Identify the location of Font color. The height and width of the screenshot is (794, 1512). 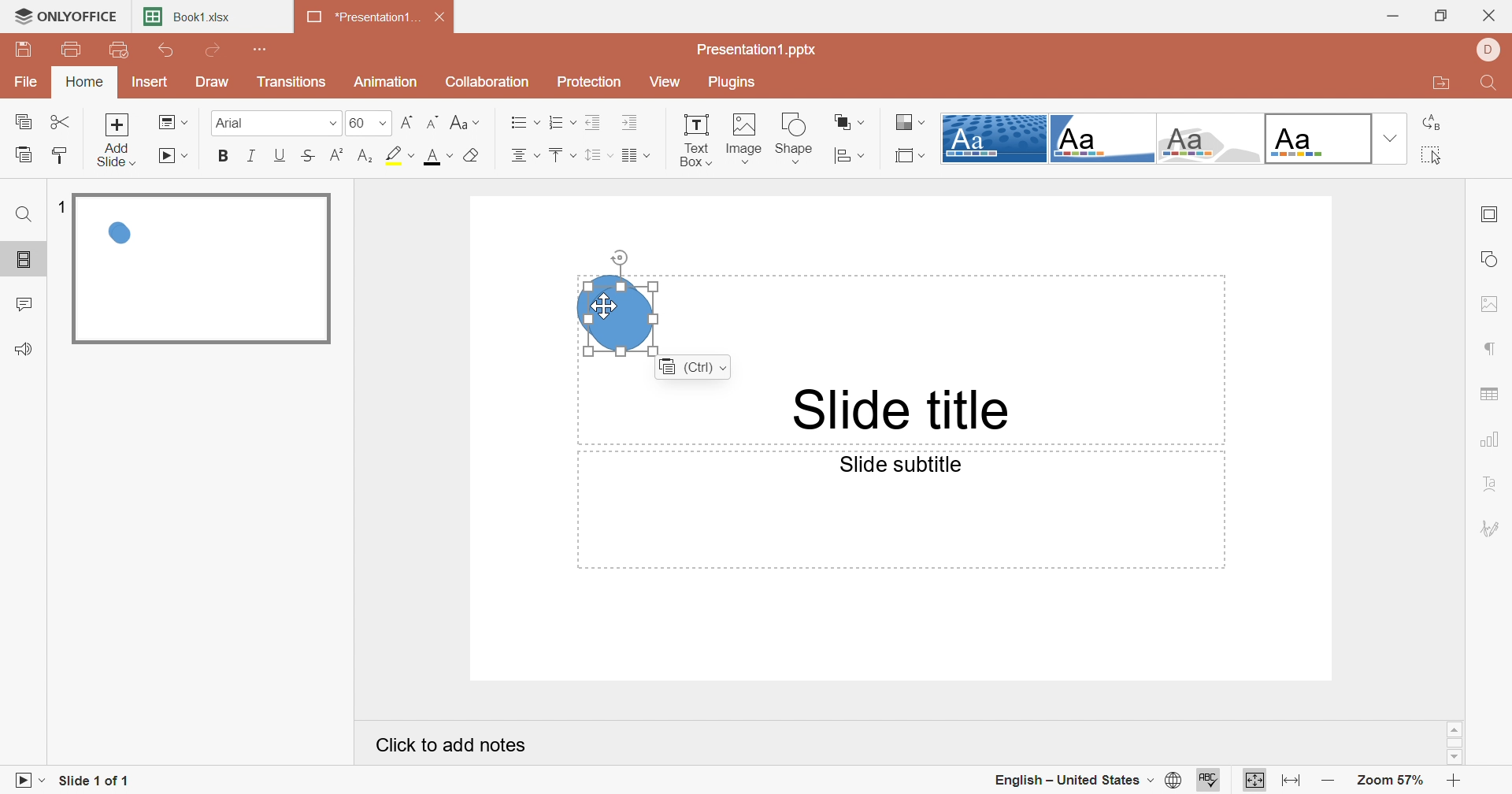
(435, 155).